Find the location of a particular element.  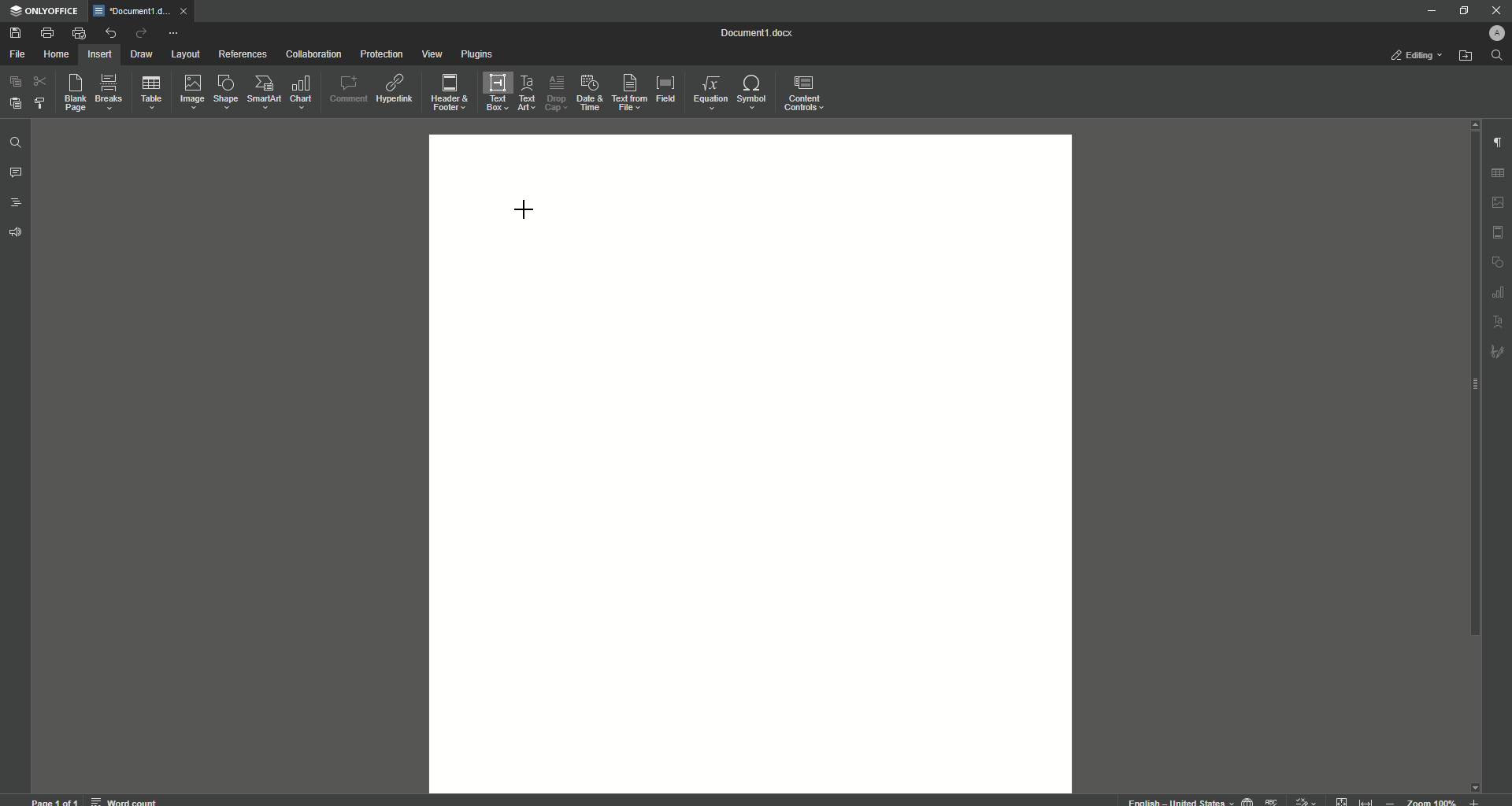

Content Controls is located at coordinates (806, 95).